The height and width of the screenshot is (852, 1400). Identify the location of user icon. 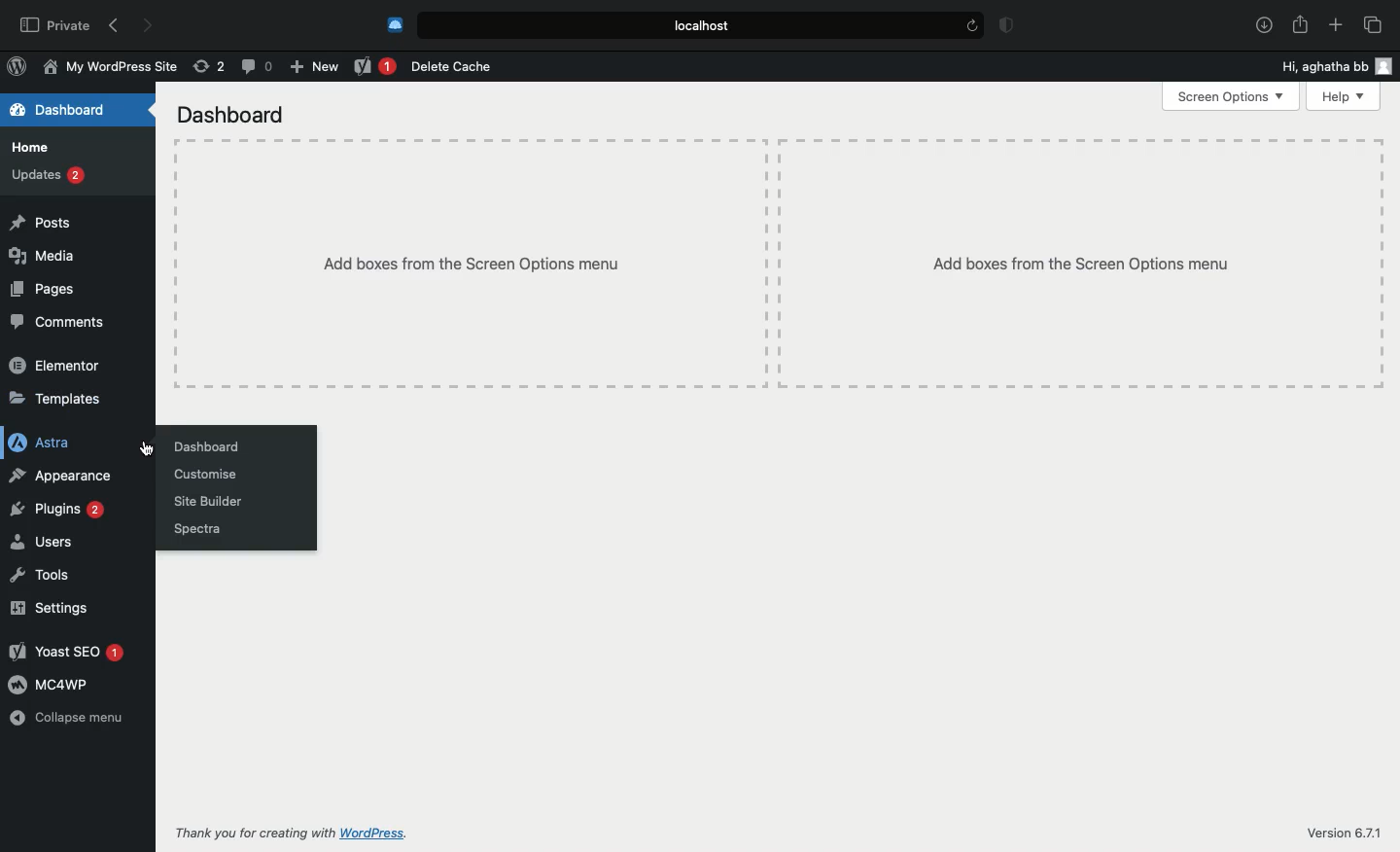
(1384, 62).